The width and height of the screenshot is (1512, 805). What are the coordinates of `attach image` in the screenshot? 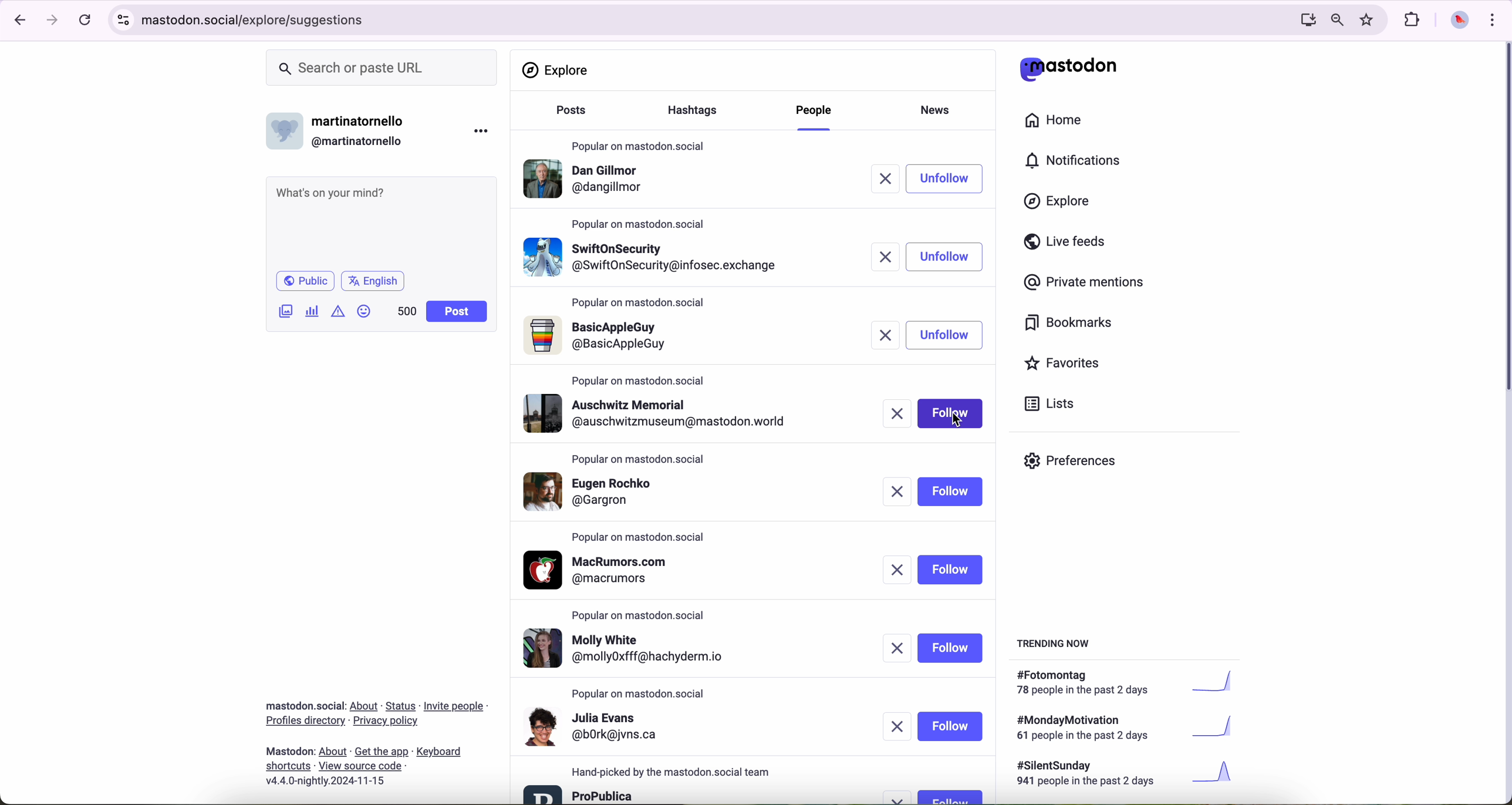 It's located at (286, 311).